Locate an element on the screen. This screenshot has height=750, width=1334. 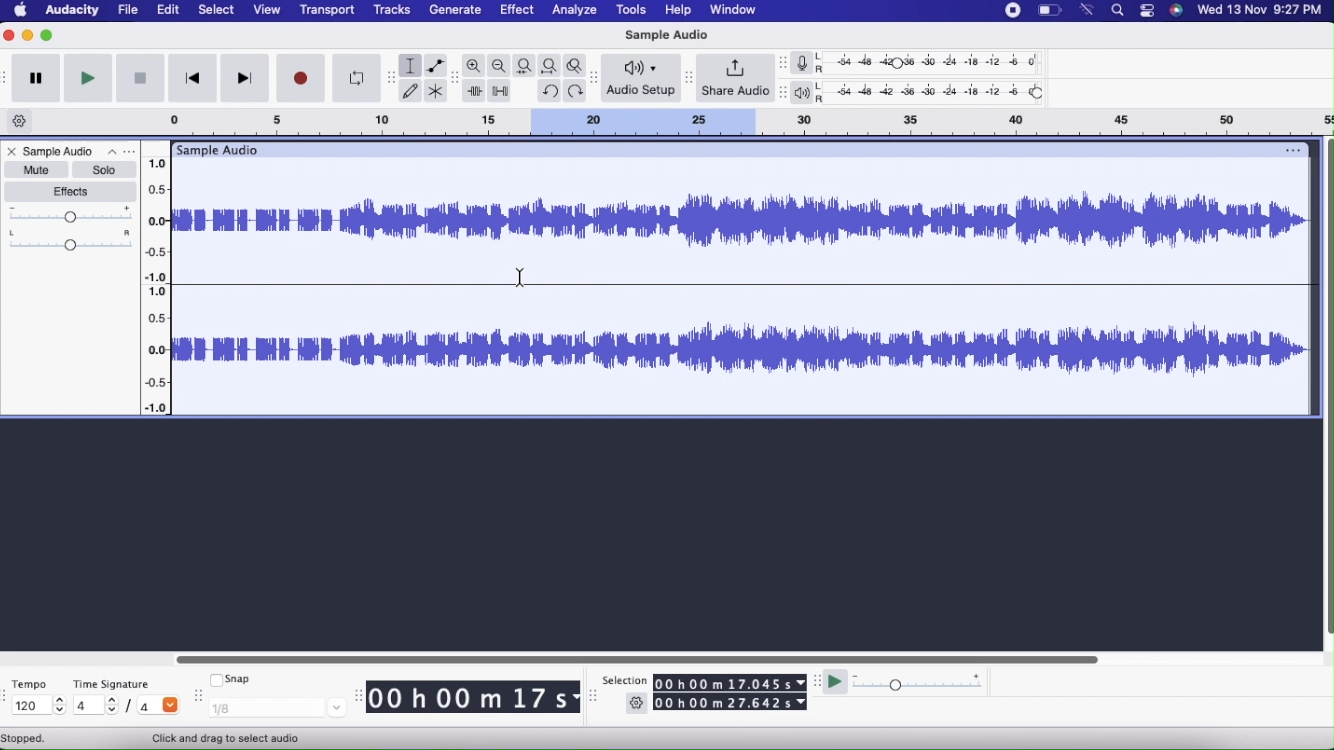
Skip to End is located at coordinates (246, 79).